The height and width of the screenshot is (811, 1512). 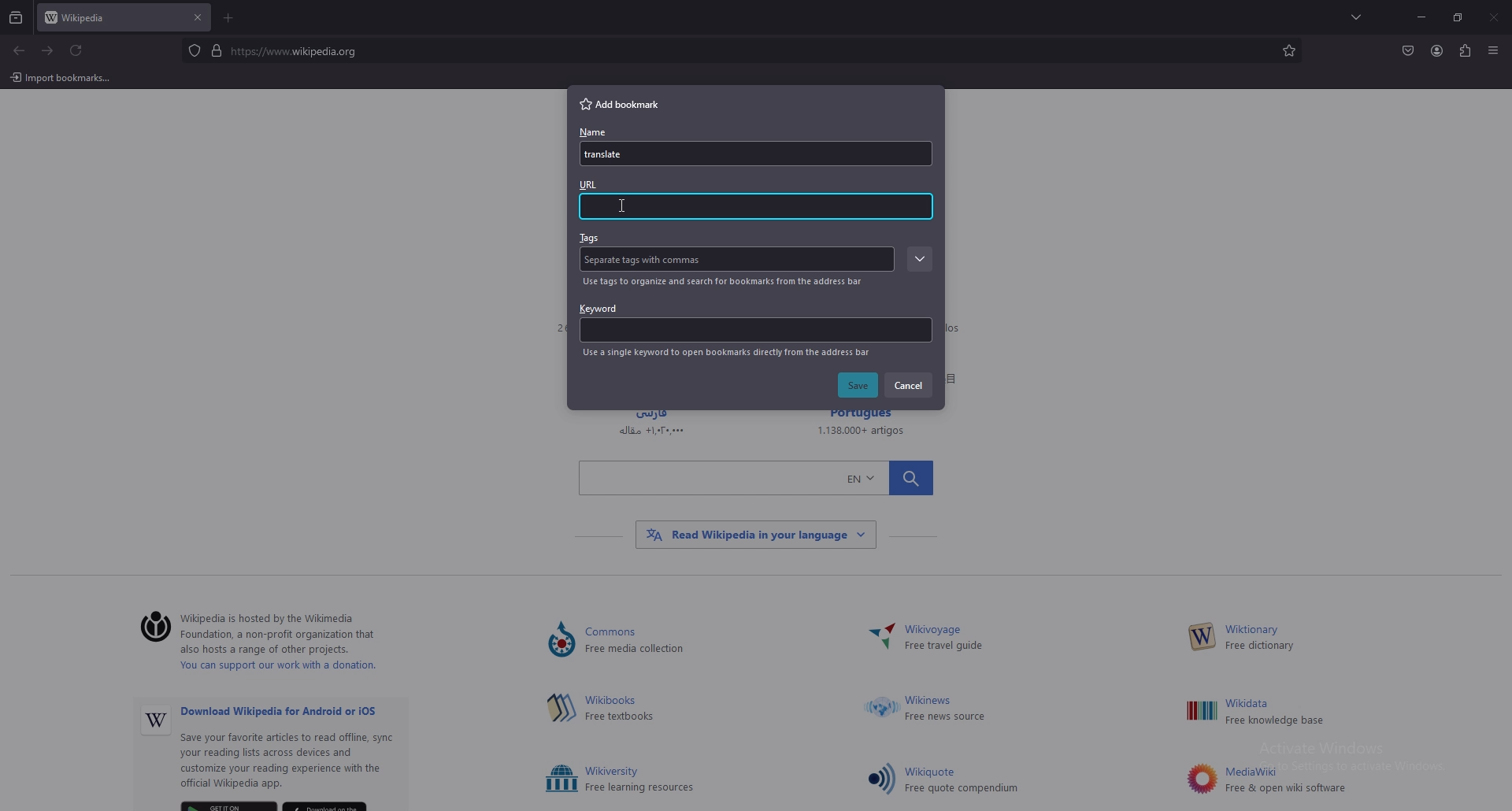 I want to click on Lommons
) Free media collection, so click(x=654, y=641).